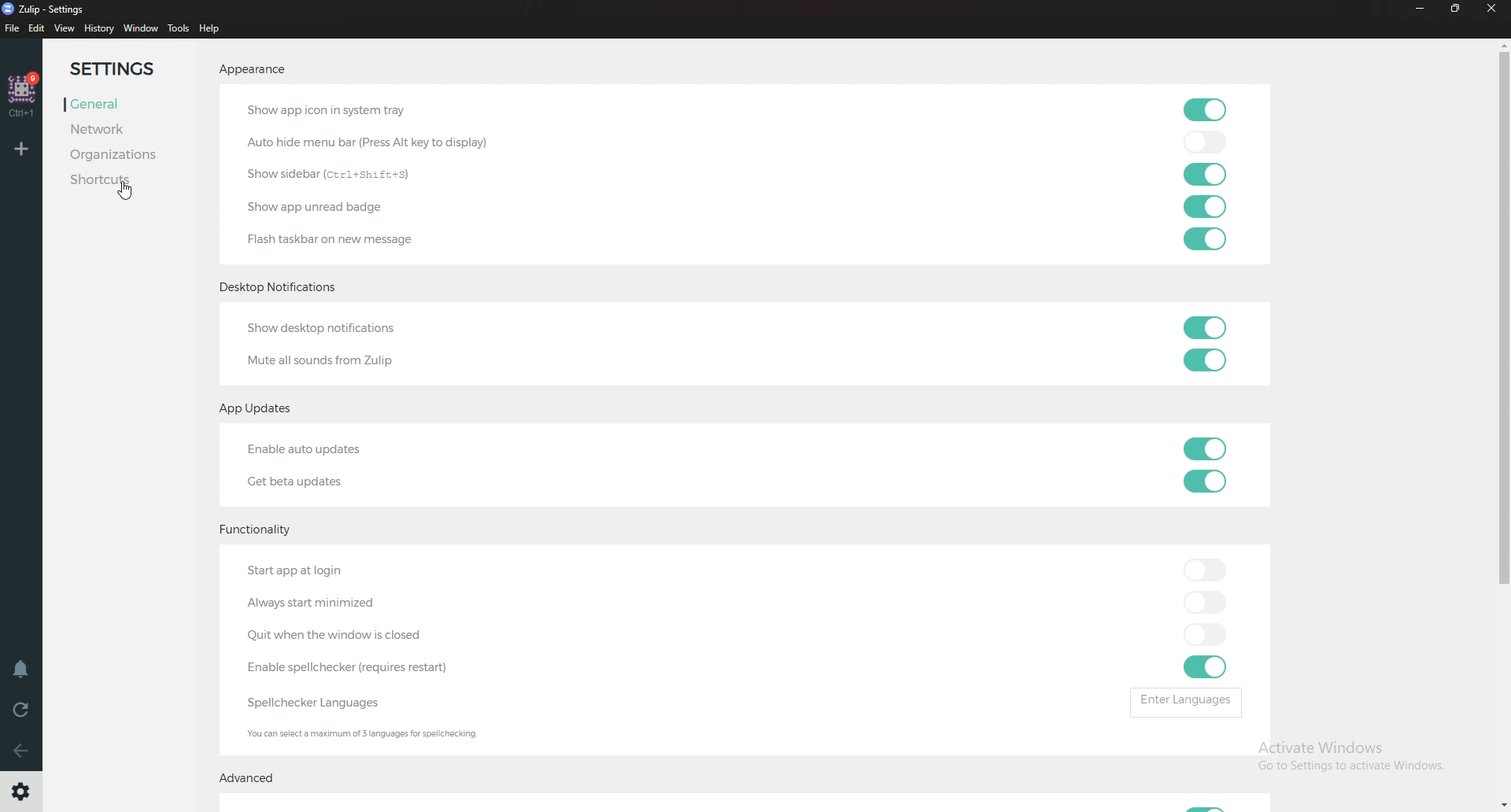 This screenshot has width=1511, height=812. Describe the element at coordinates (1206, 803) in the screenshot. I see `Toggle` at that location.